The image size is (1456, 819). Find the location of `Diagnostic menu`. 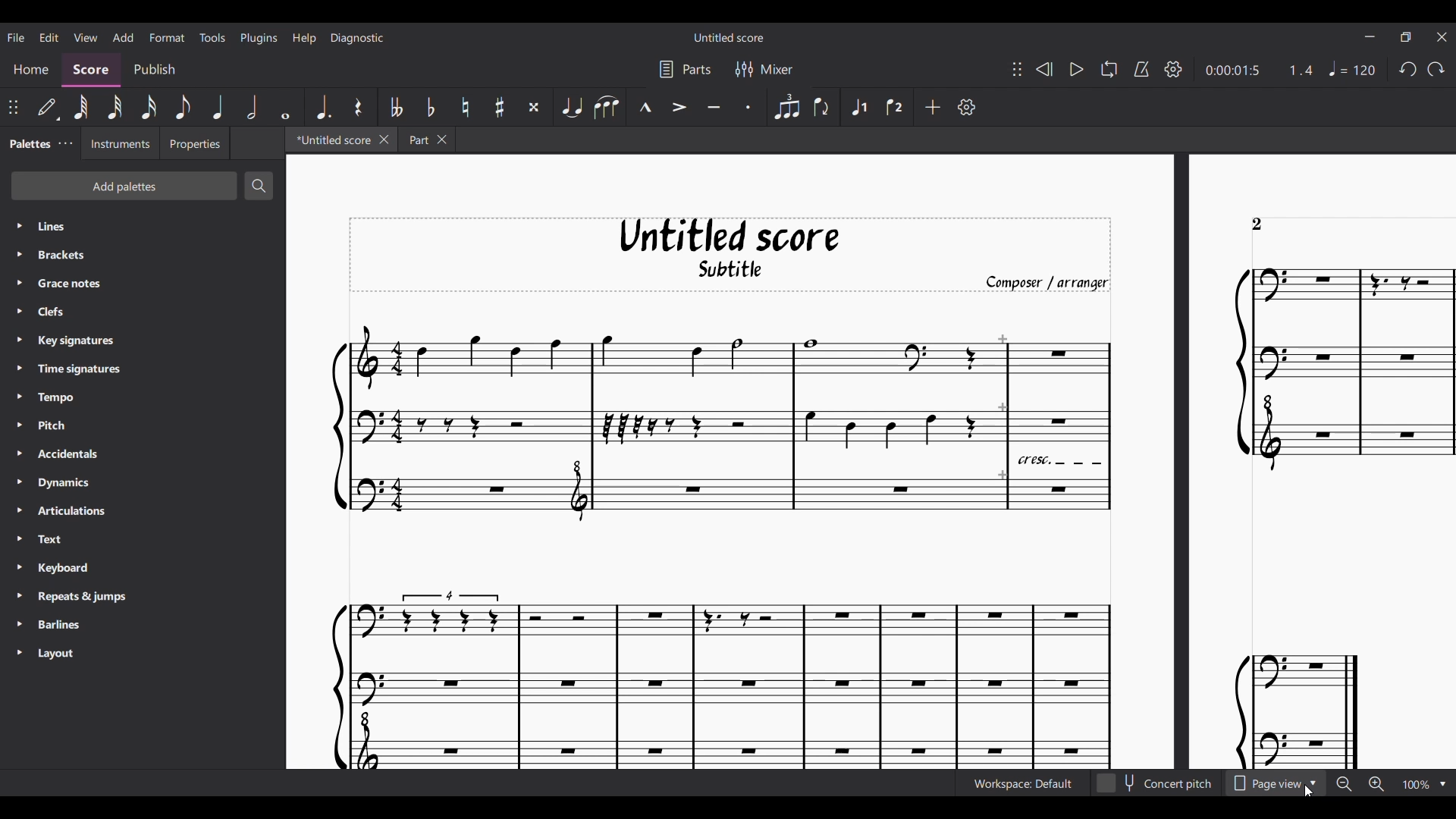

Diagnostic menu is located at coordinates (357, 39).